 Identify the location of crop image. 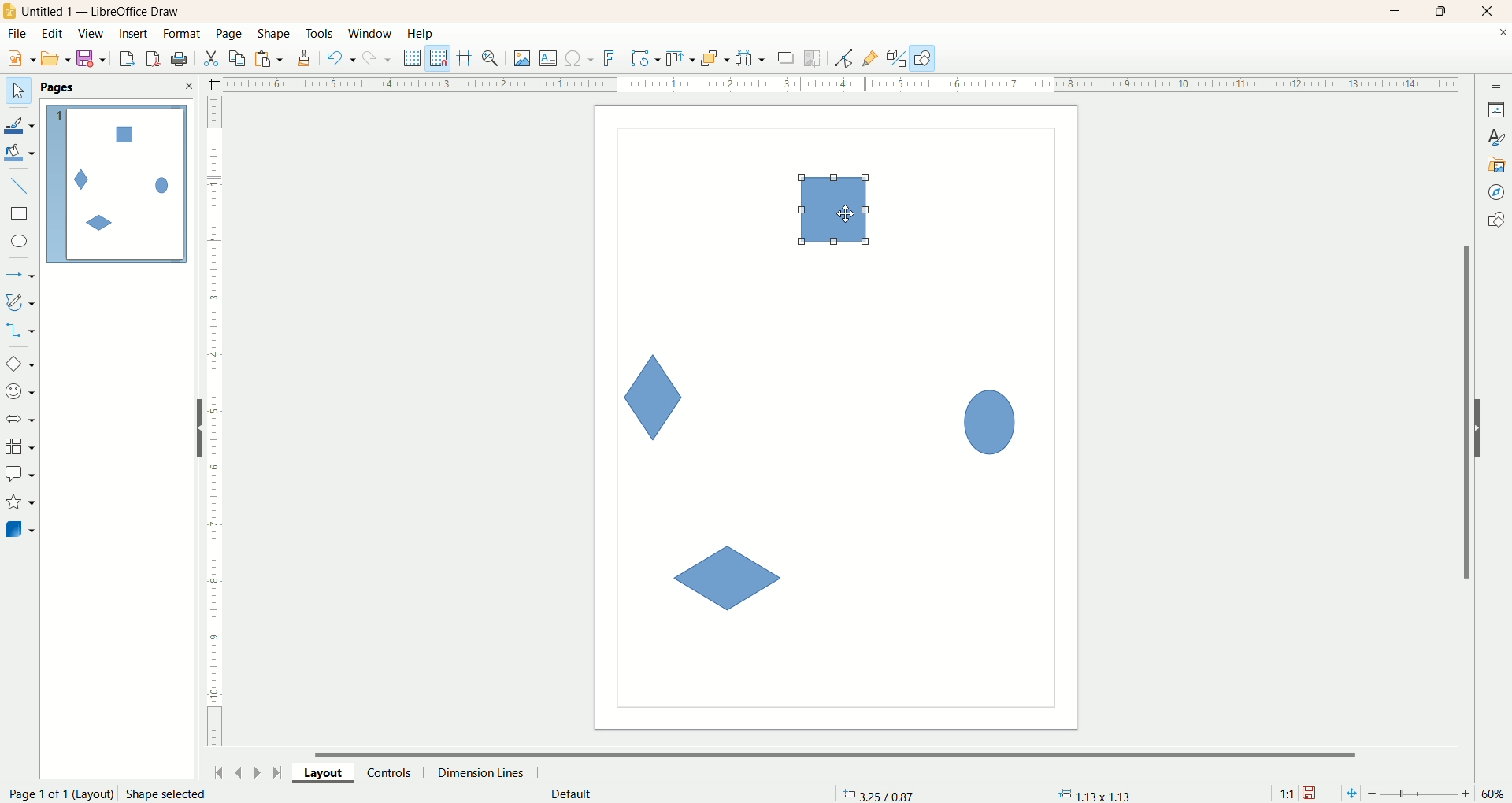
(813, 58).